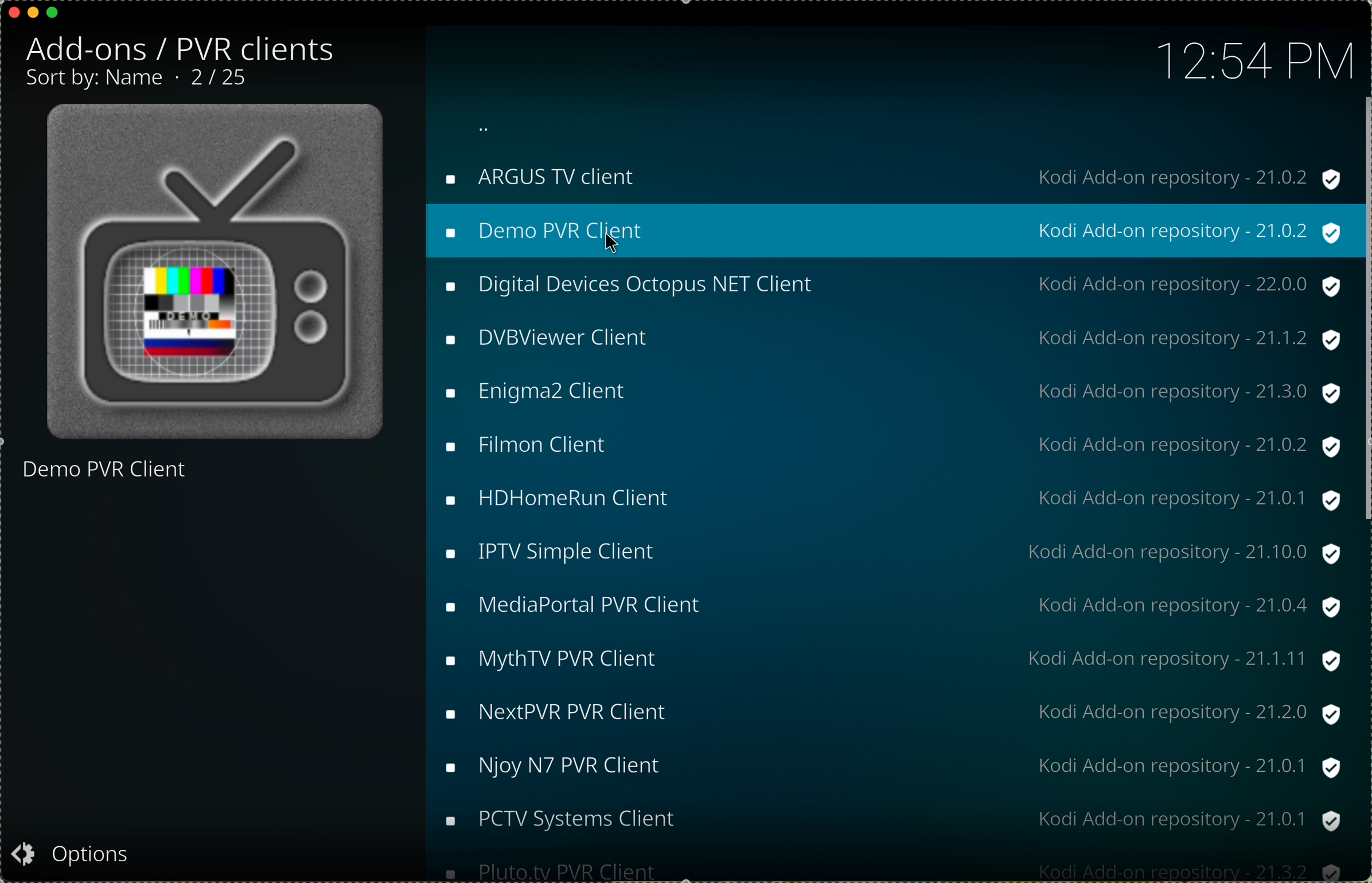 The width and height of the screenshot is (1372, 883). I want to click on 21.3.0, so click(1279, 392).